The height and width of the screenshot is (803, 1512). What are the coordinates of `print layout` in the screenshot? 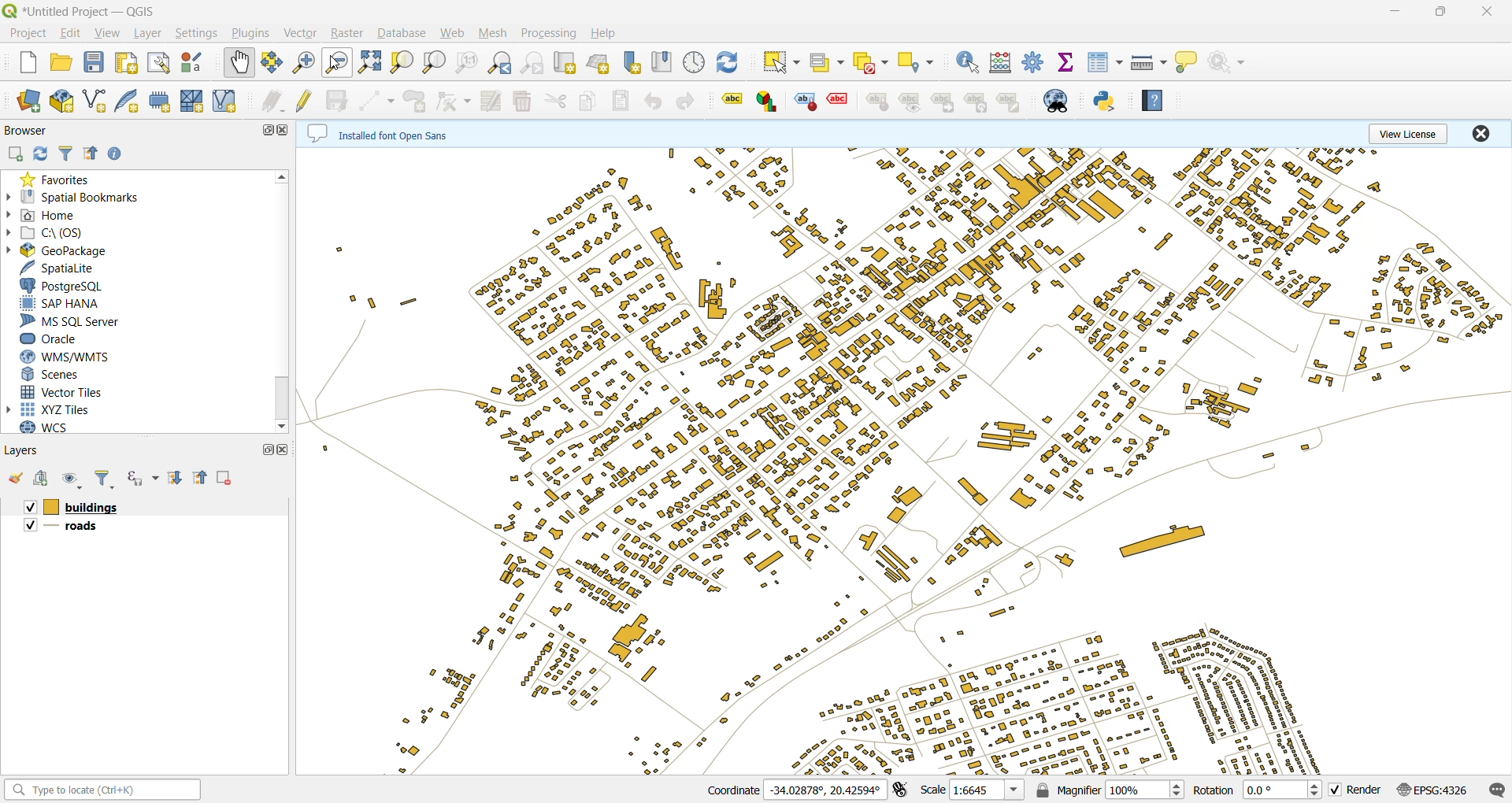 It's located at (131, 65).